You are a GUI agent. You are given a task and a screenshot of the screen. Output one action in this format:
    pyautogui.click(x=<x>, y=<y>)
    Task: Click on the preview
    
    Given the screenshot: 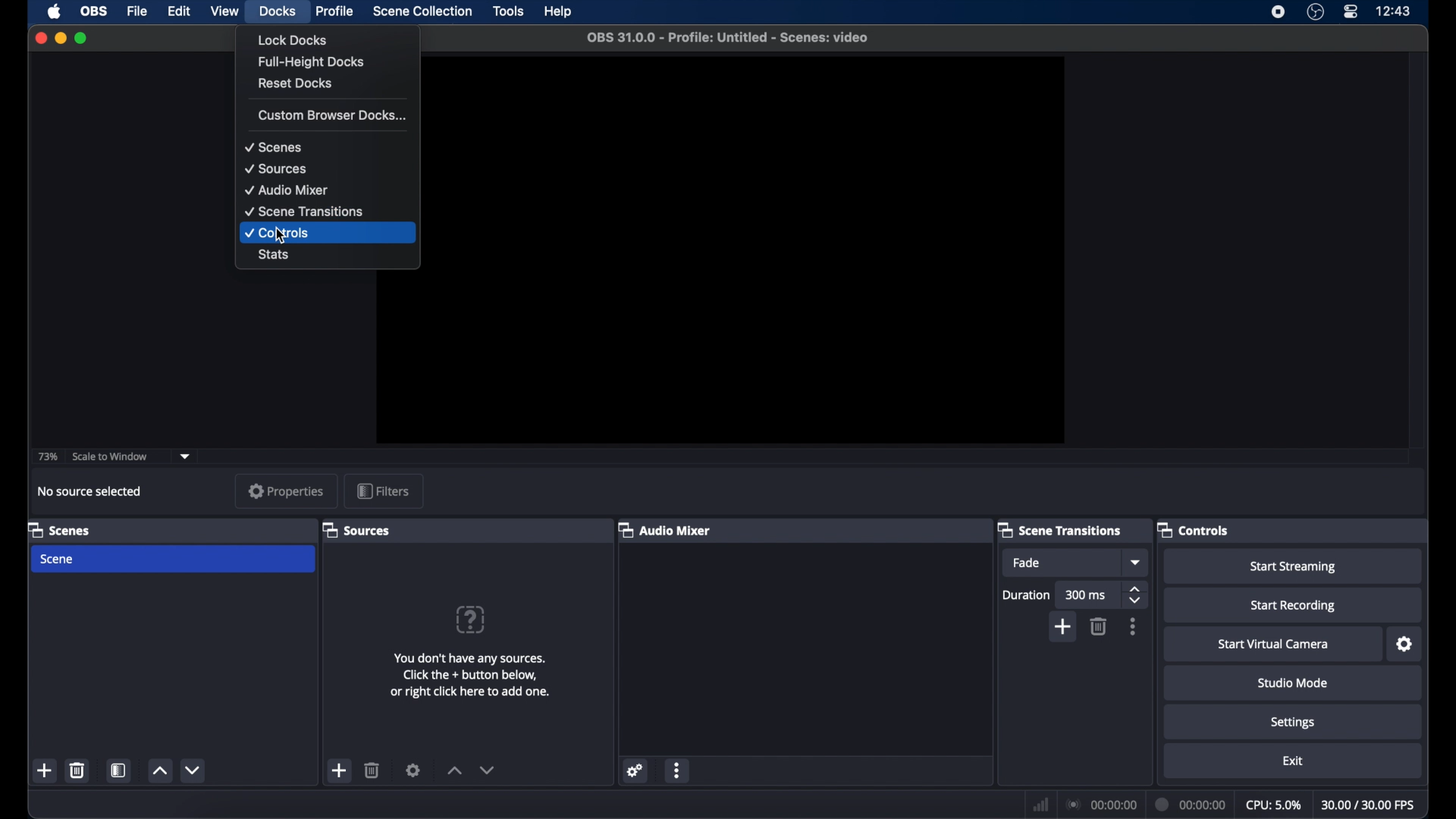 What is the action you would take?
    pyautogui.click(x=754, y=250)
    